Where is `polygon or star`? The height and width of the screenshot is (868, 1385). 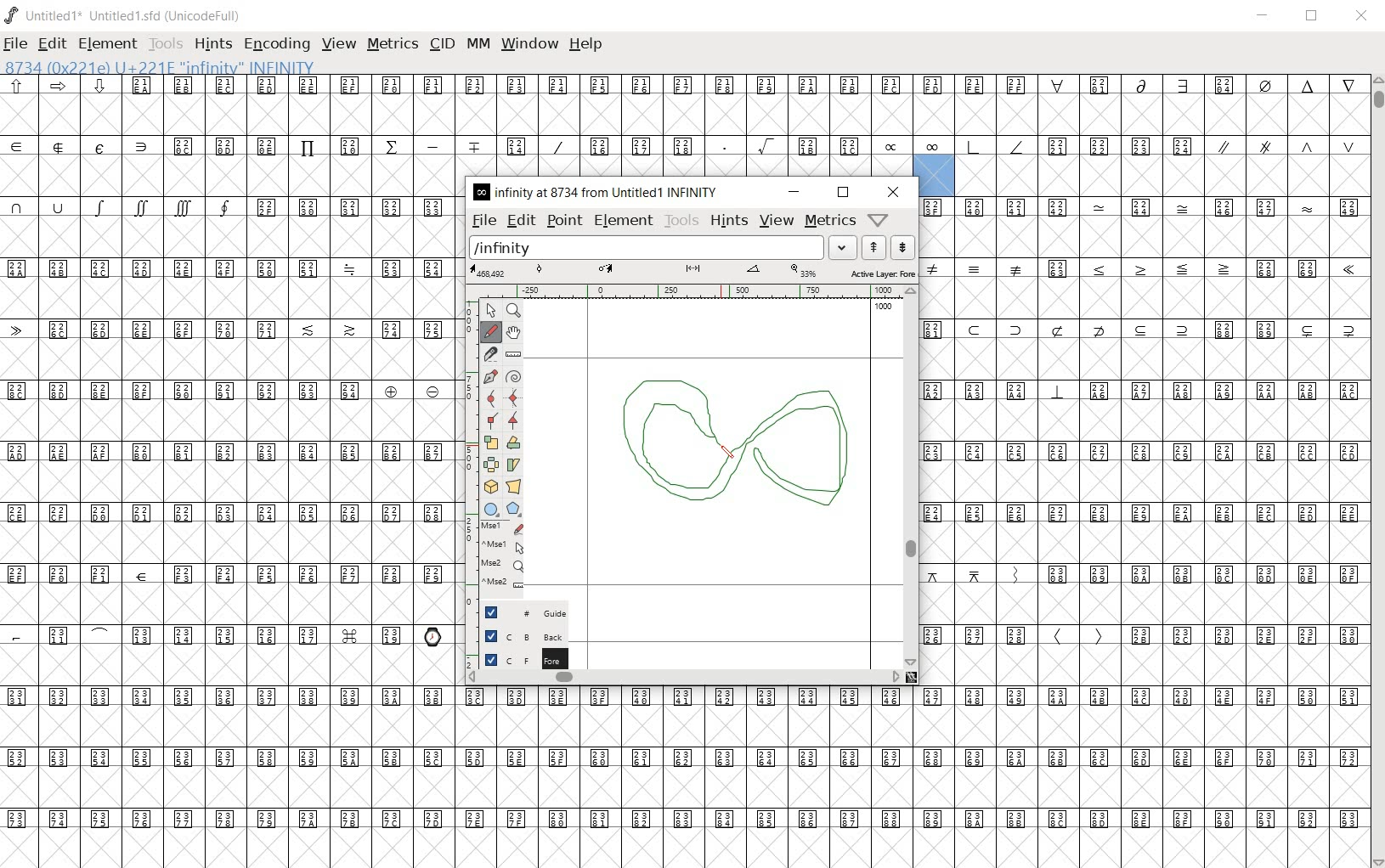 polygon or star is located at coordinates (515, 508).